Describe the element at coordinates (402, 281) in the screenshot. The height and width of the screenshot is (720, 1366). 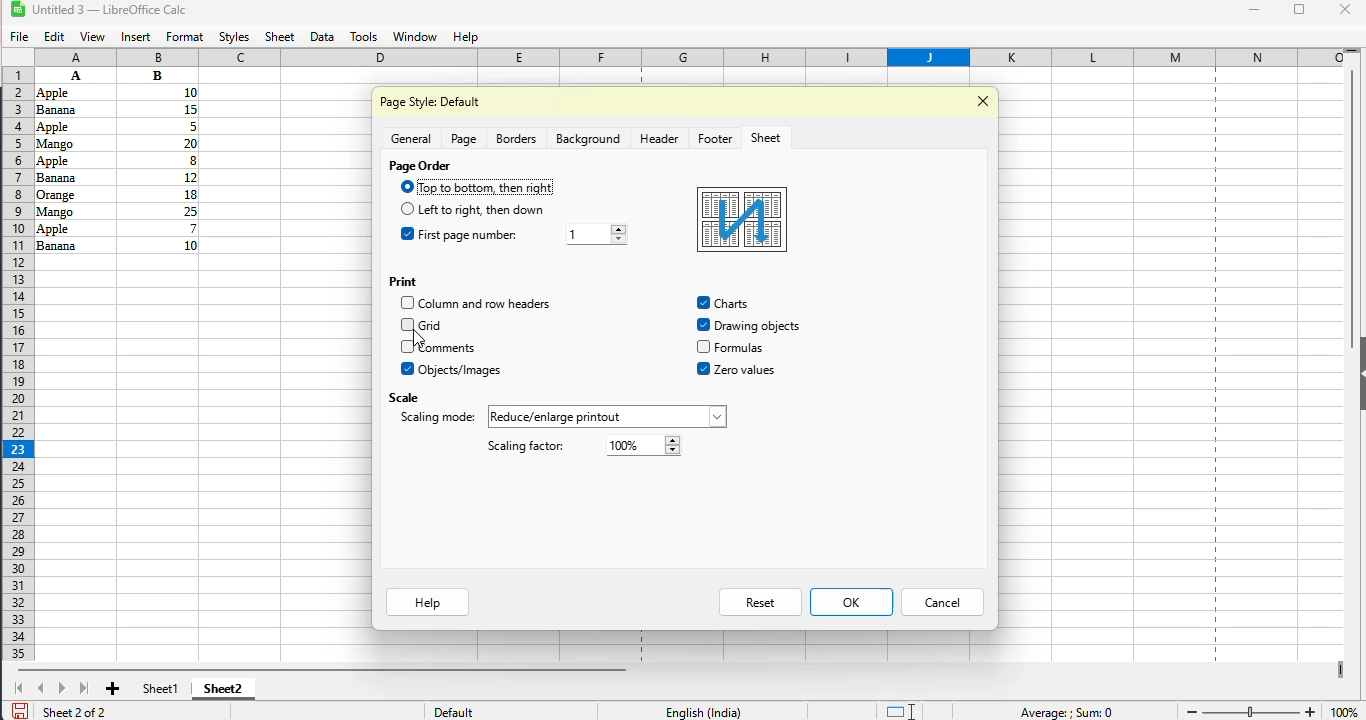
I see `print` at that location.